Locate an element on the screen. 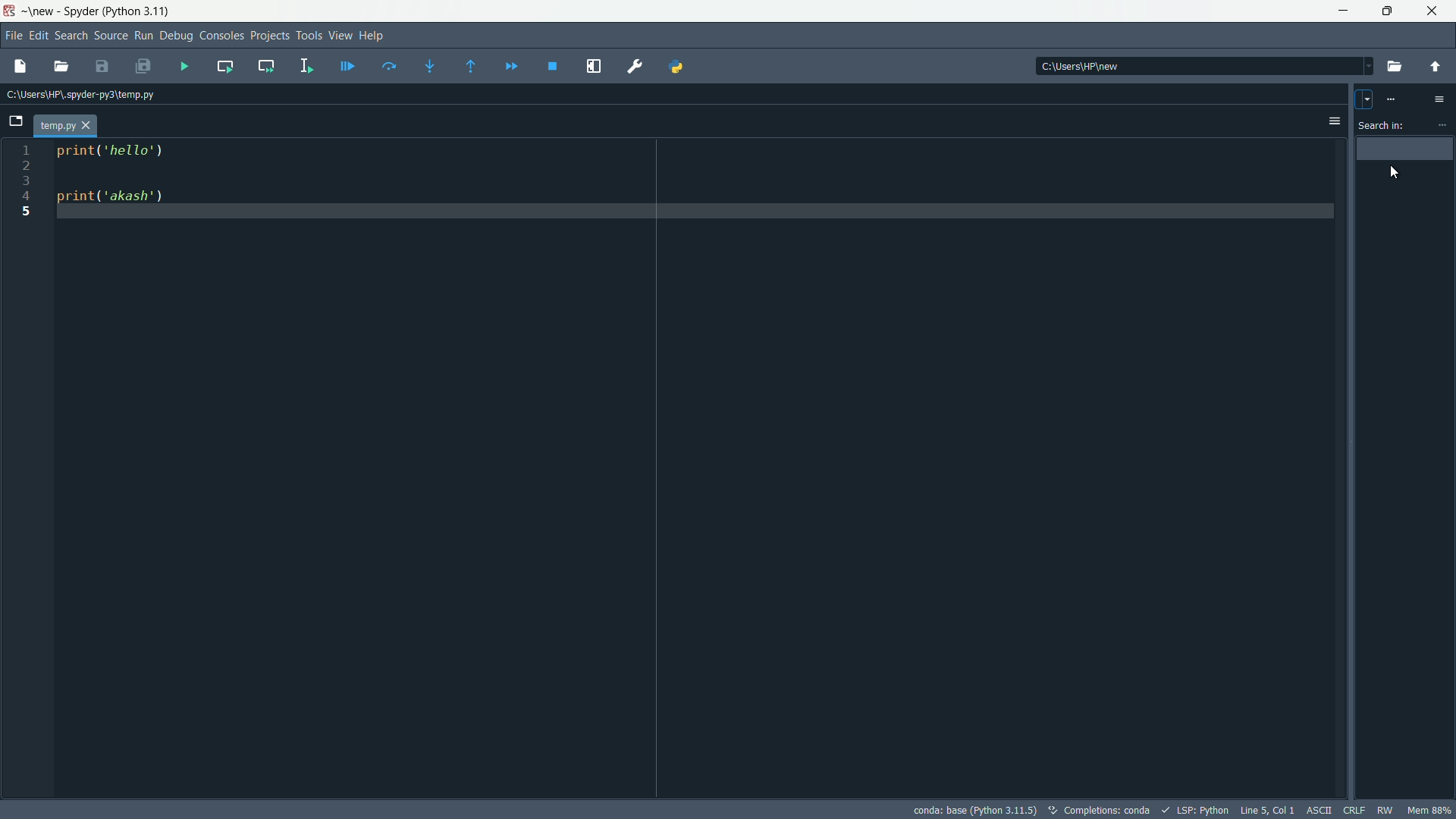 Image resolution: width=1456 pixels, height=819 pixels. Source menu is located at coordinates (109, 36).